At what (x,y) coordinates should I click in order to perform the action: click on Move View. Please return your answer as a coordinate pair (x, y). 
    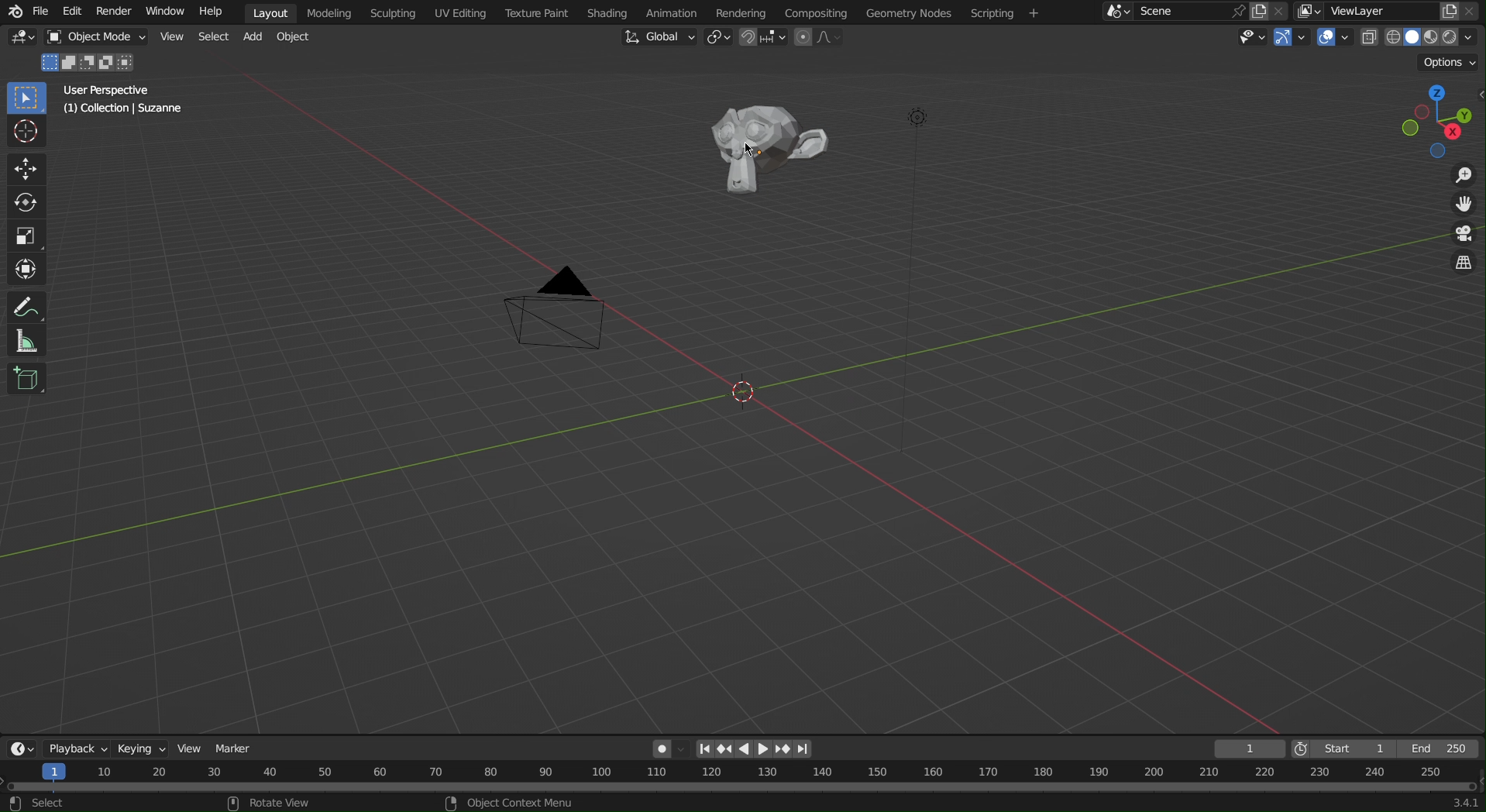
    Looking at the image, I should click on (1462, 205).